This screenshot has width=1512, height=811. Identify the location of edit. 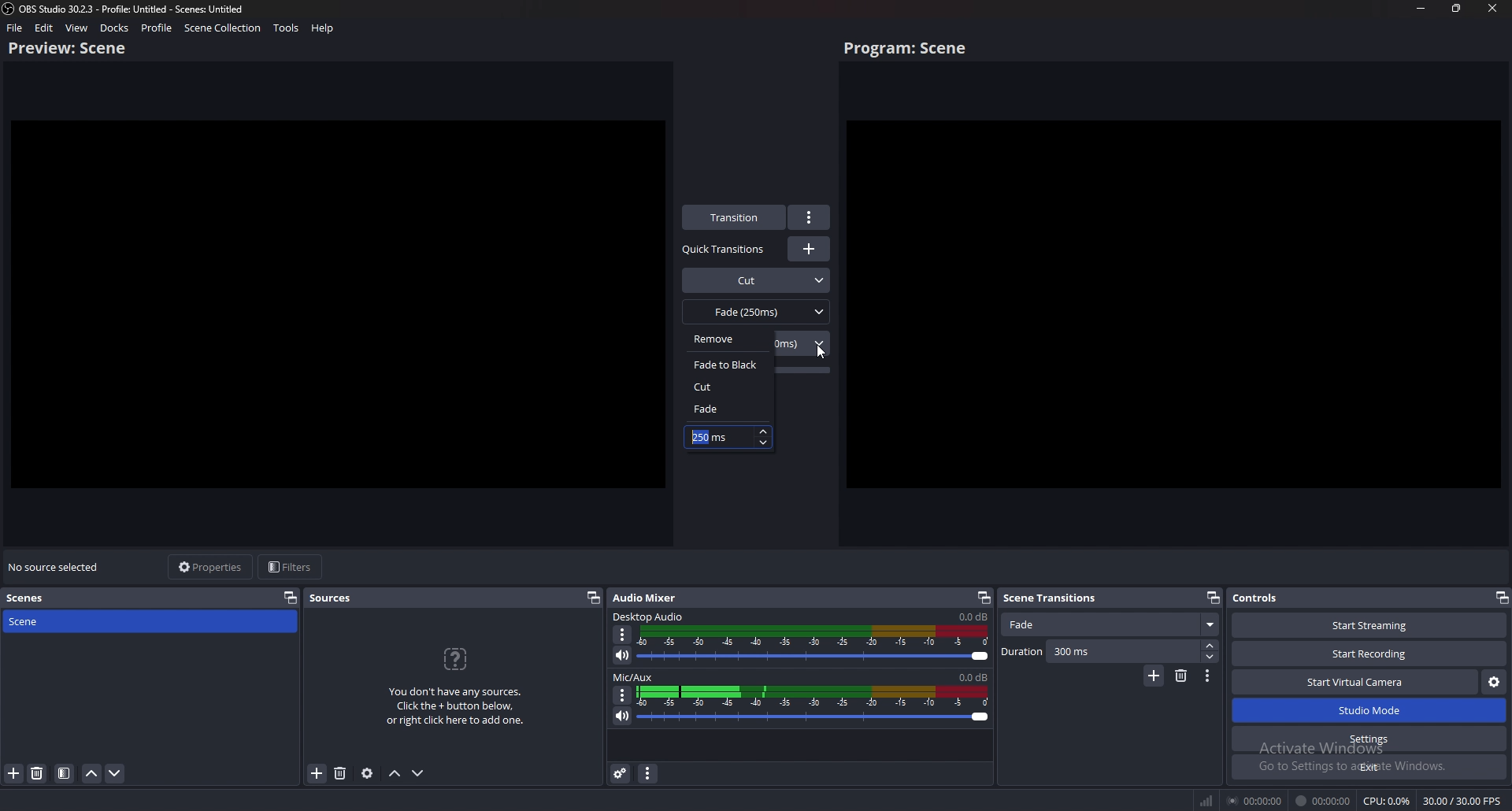
(45, 28).